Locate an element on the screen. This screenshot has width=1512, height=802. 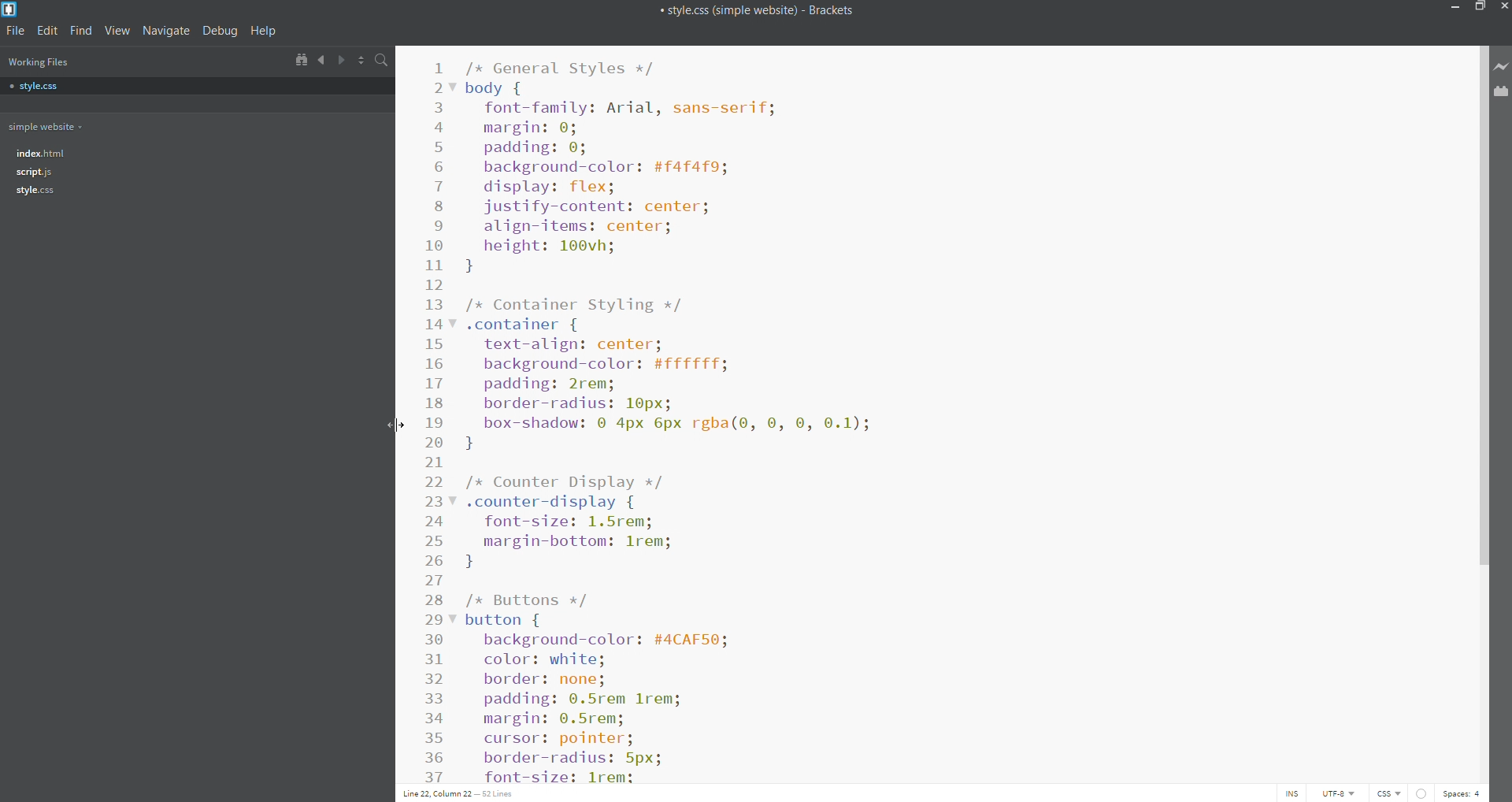
text cursor position is located at coordinates (457, 793).